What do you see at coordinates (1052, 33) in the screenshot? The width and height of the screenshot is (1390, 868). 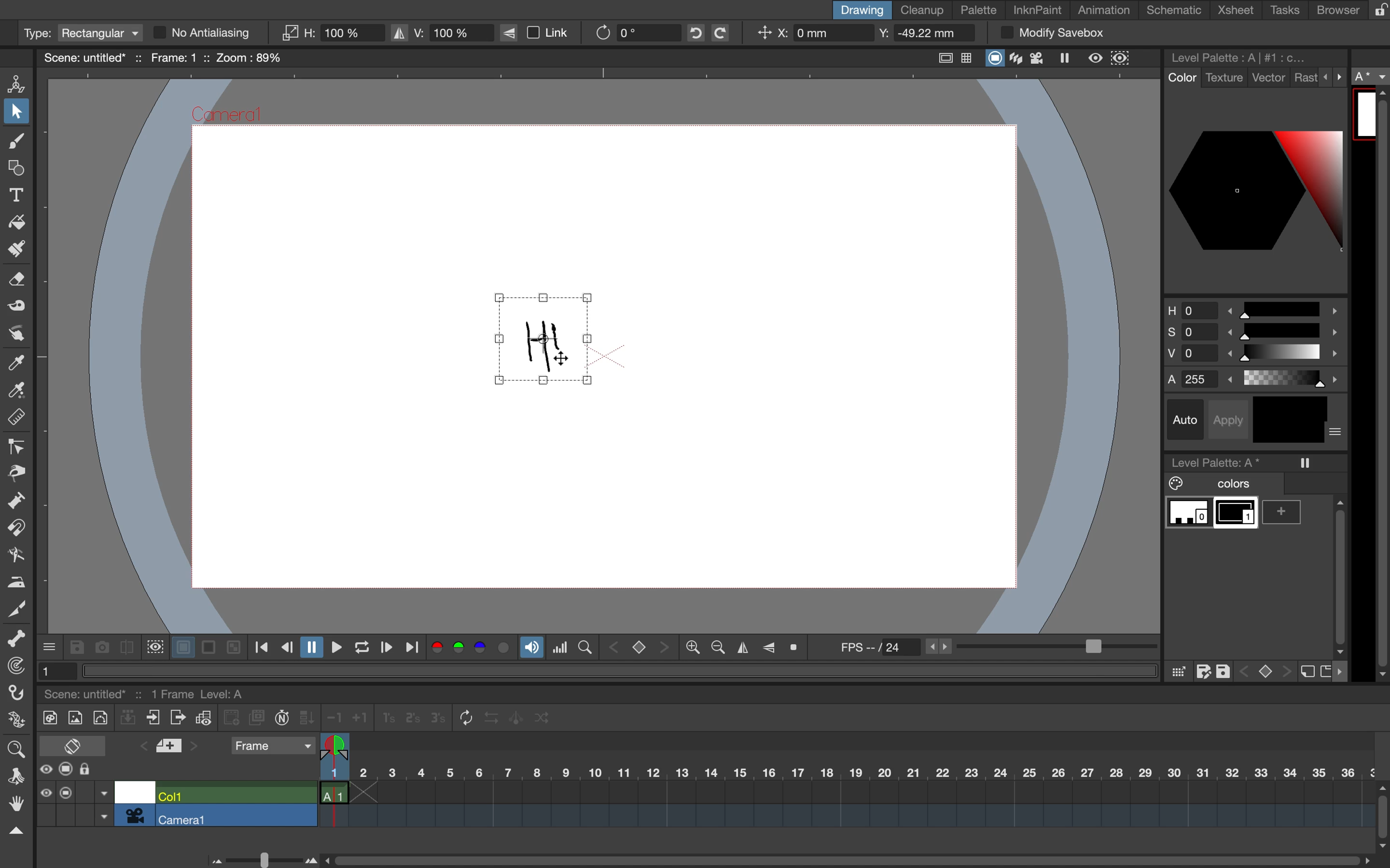 I see `modify savebox` at bounding box center [1052, 33].